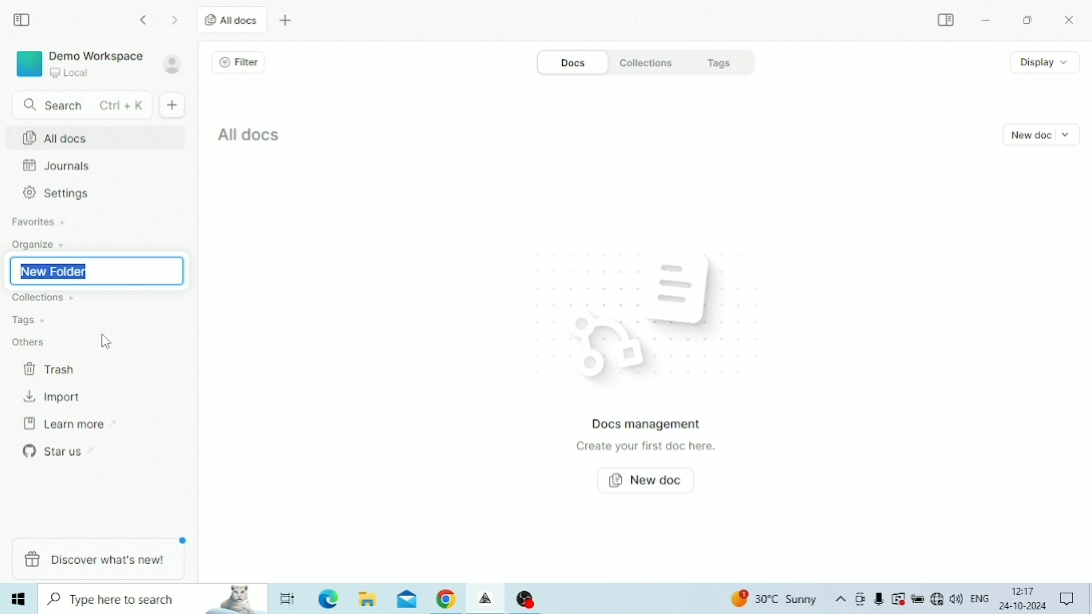 This screenshot has height=614, width=1092. I want to click on Charging, plugged in, so click(917, 599).